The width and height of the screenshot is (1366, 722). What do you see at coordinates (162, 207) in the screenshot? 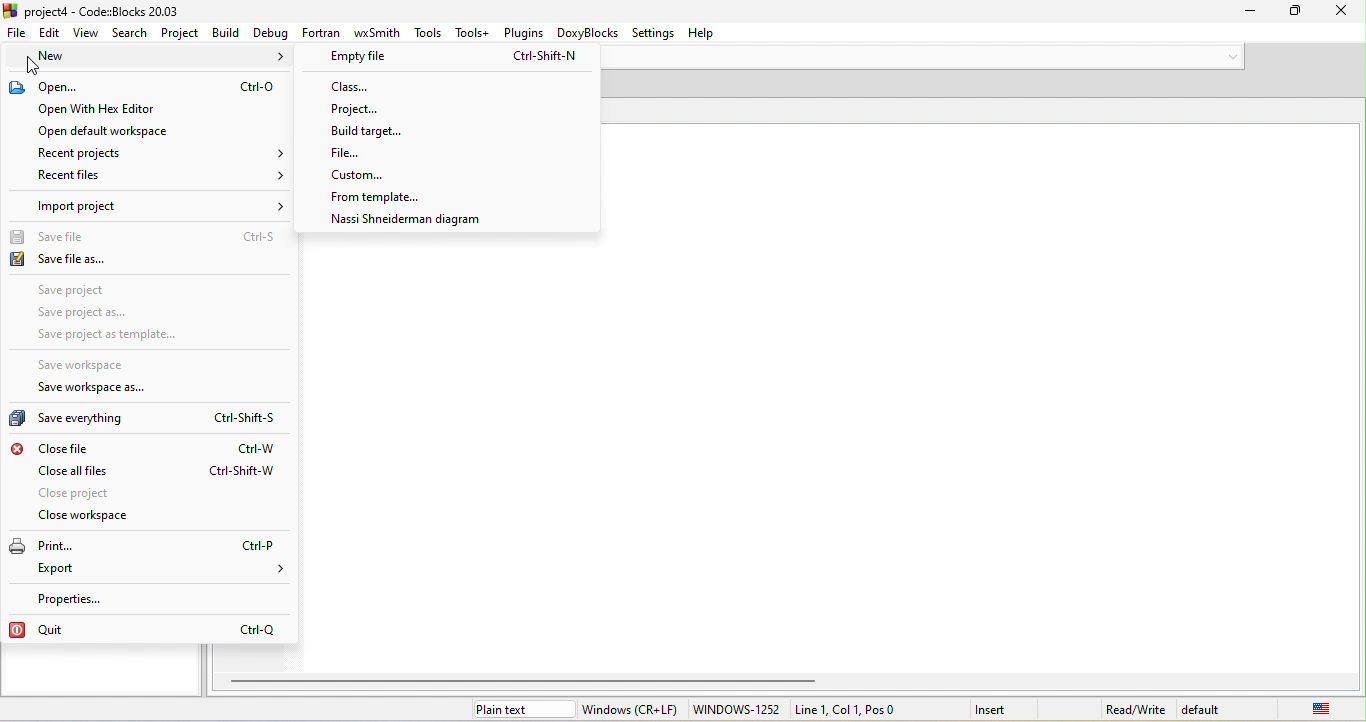
I see `import project` at bounding box center [162, 207].